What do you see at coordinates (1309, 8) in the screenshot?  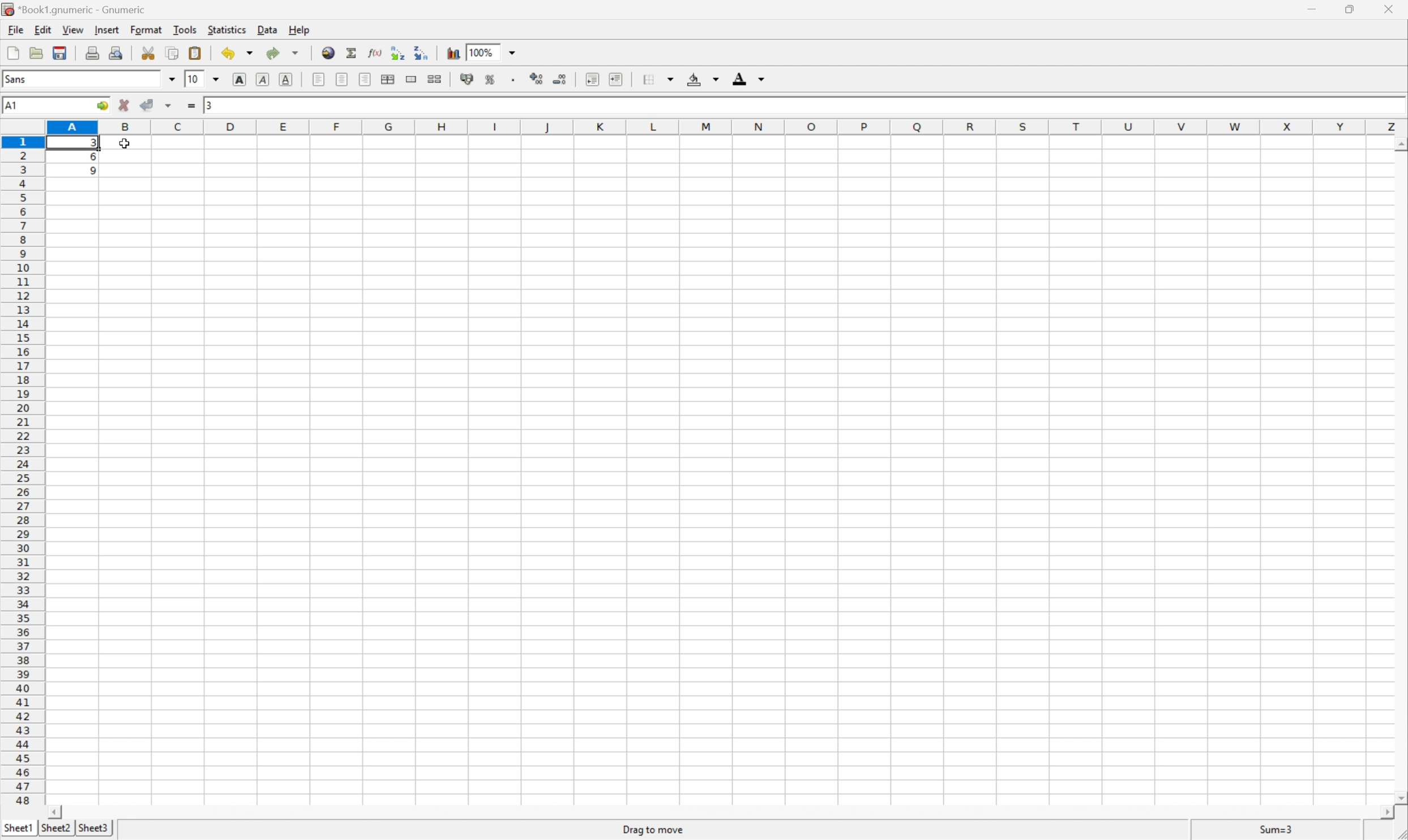 I see `Minimize` at bounding box center [1309, 8].